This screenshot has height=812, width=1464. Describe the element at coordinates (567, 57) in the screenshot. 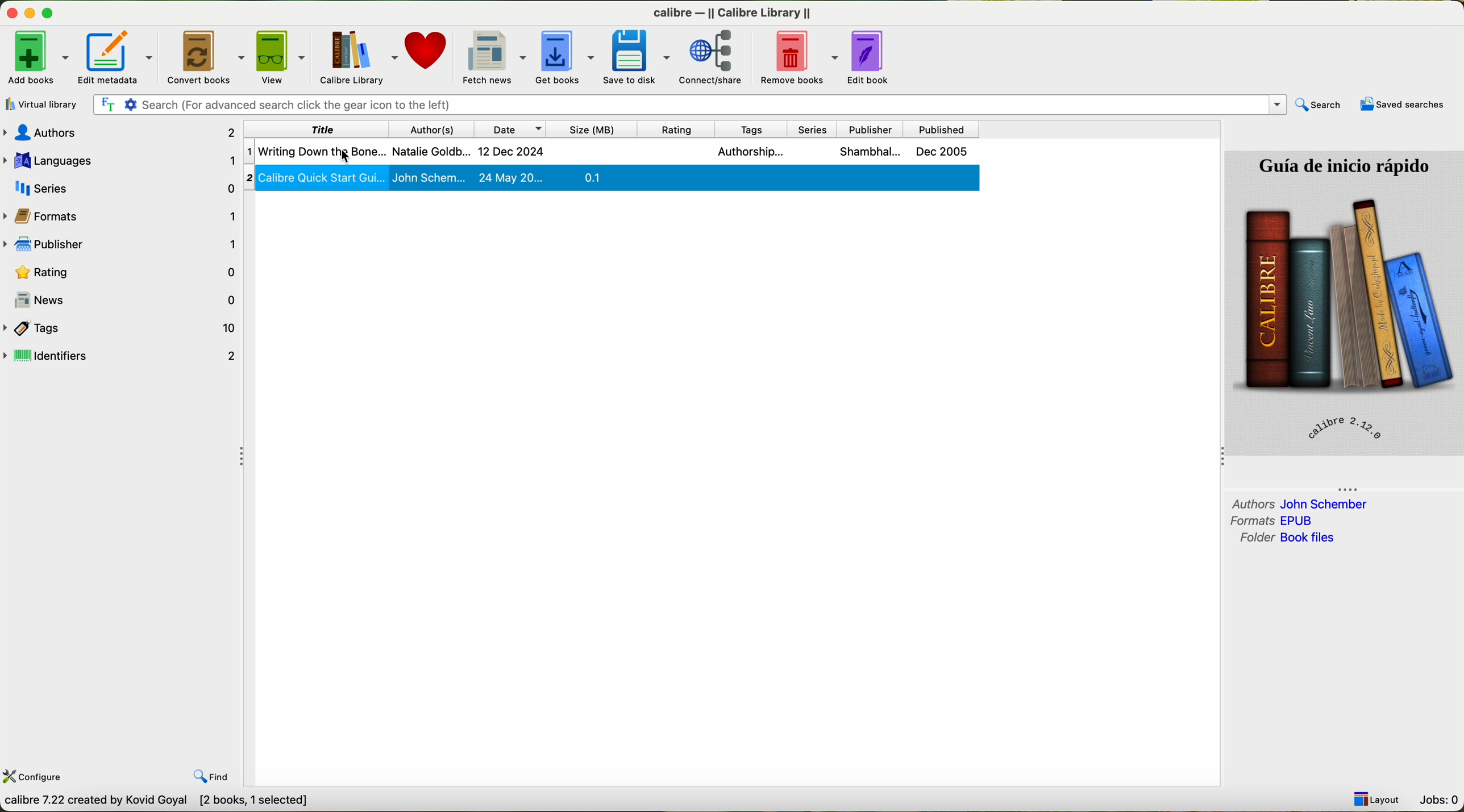

I see `get books` at that location.